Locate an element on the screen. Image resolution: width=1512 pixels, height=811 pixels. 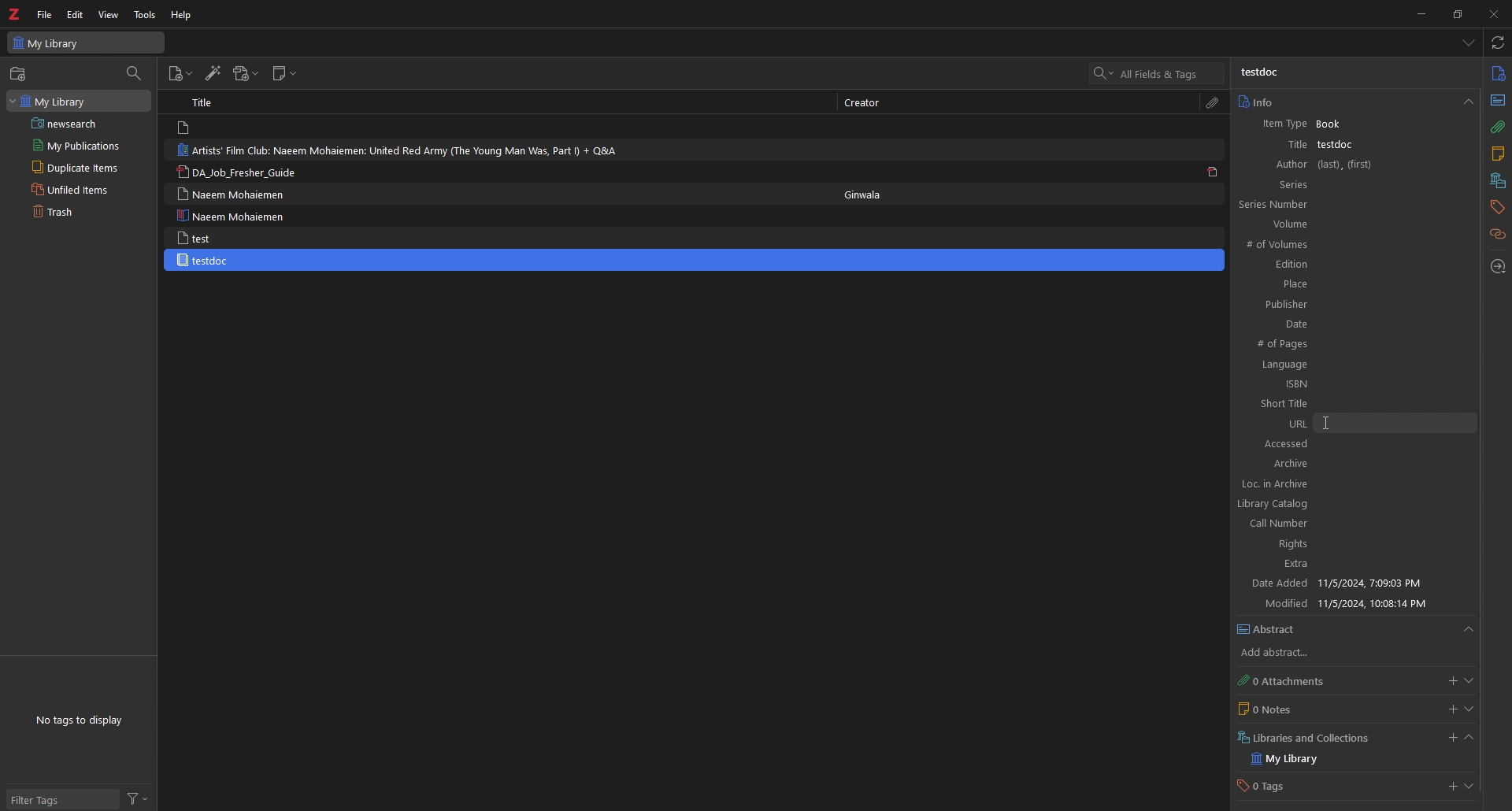
view is located at coordinates (109, 14).